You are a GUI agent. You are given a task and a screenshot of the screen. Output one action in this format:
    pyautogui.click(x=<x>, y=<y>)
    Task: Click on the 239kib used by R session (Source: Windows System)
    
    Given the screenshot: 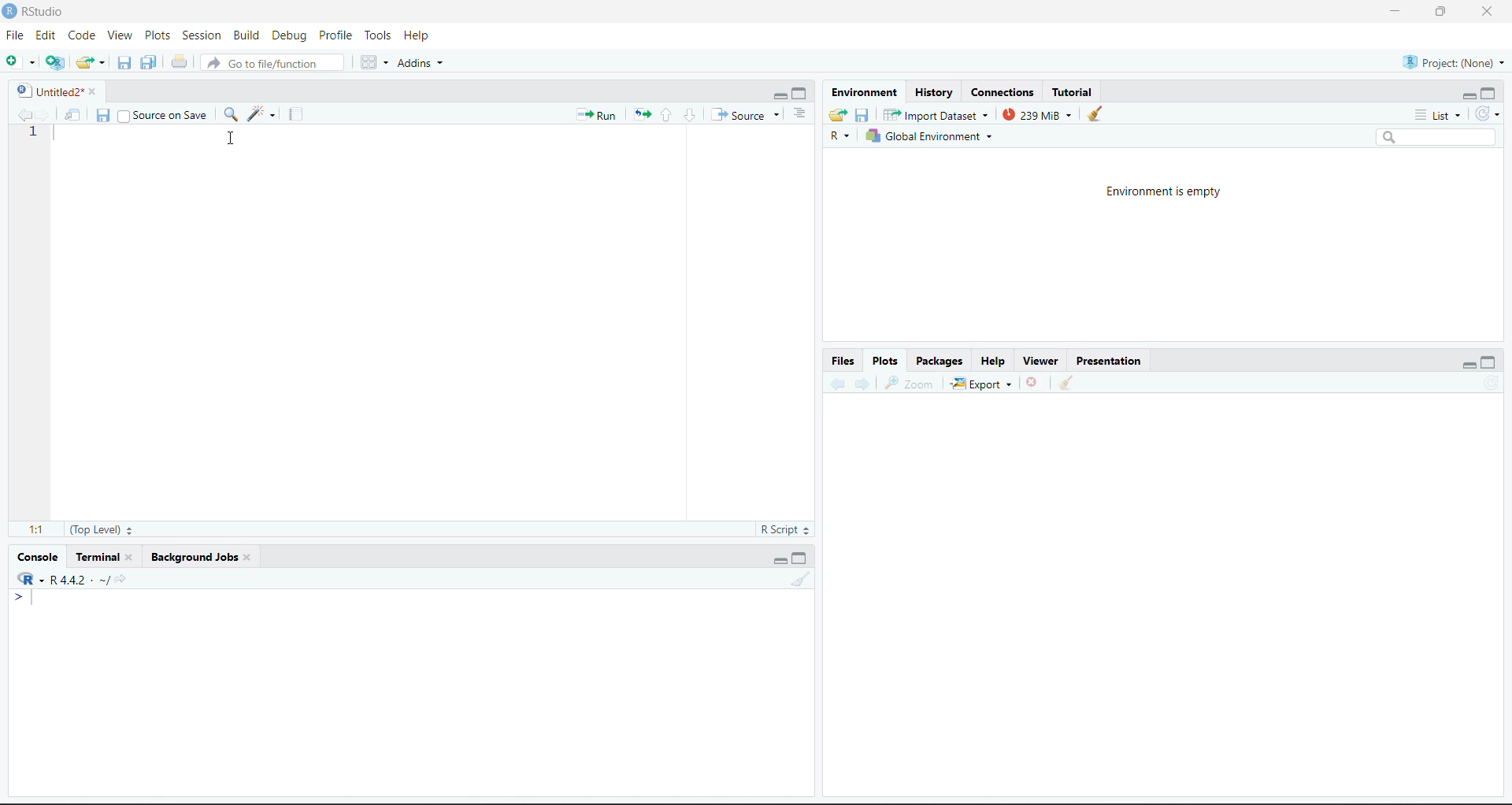 What is the action you would take?
    pyautogui.click(x=1039, y=114)
    